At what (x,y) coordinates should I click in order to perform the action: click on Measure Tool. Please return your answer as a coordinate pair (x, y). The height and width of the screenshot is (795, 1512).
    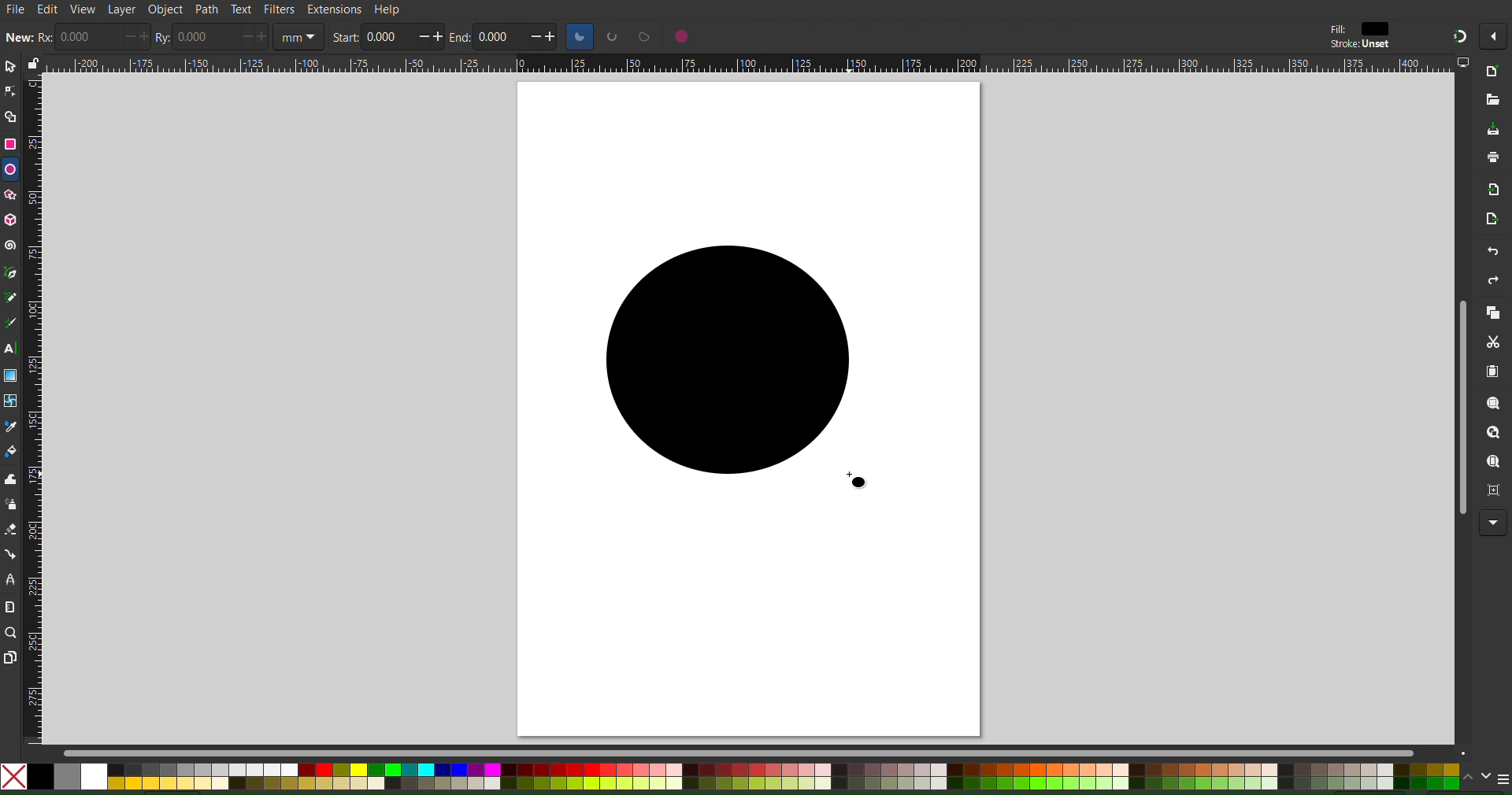
    Looking at the image, I should click on (10, 606).